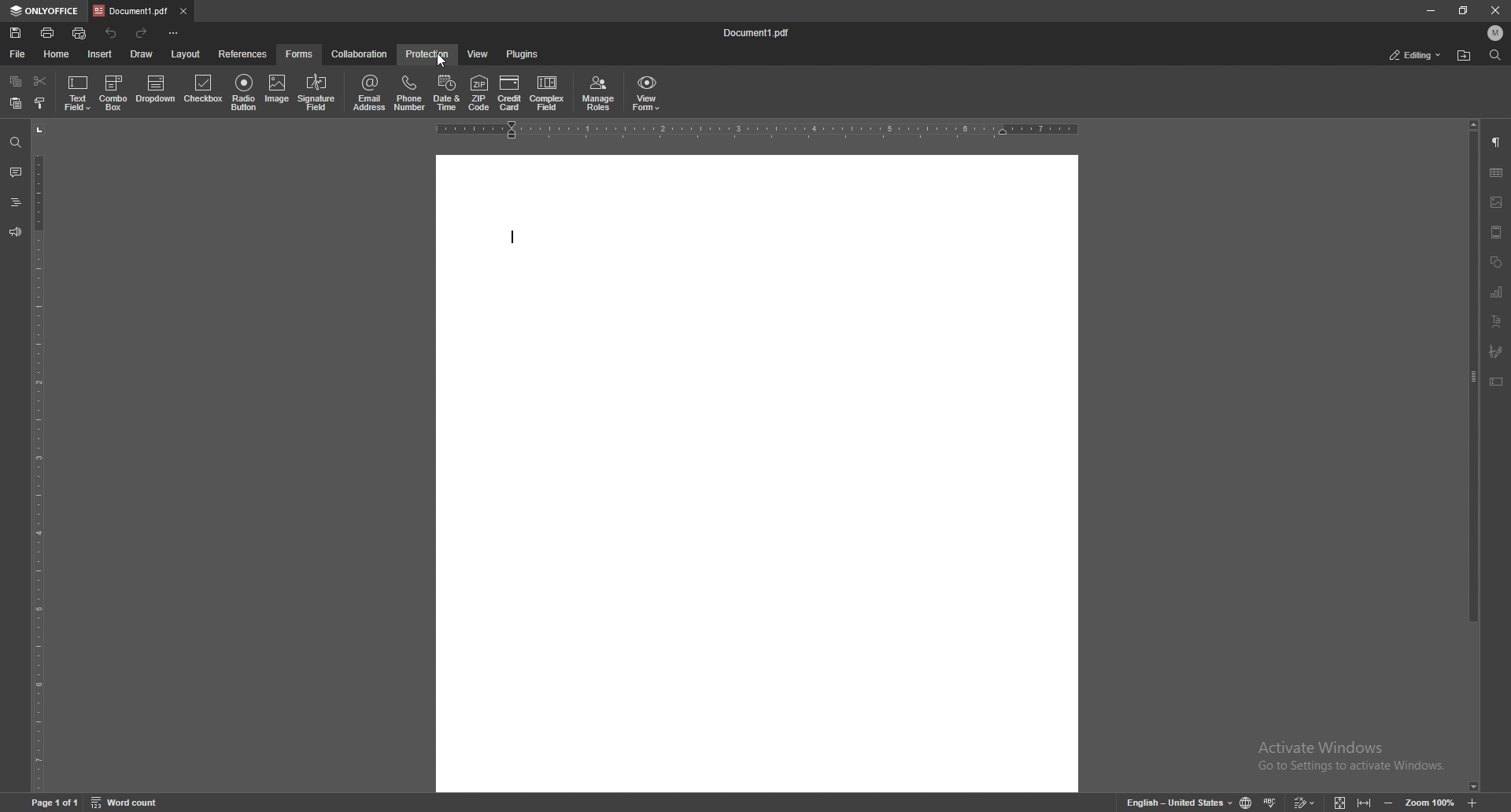 The image size is (1511, 812). What do you see at coordinates (54, 800) in the screenshot?
I see `page` at bounding box center [54, 800].